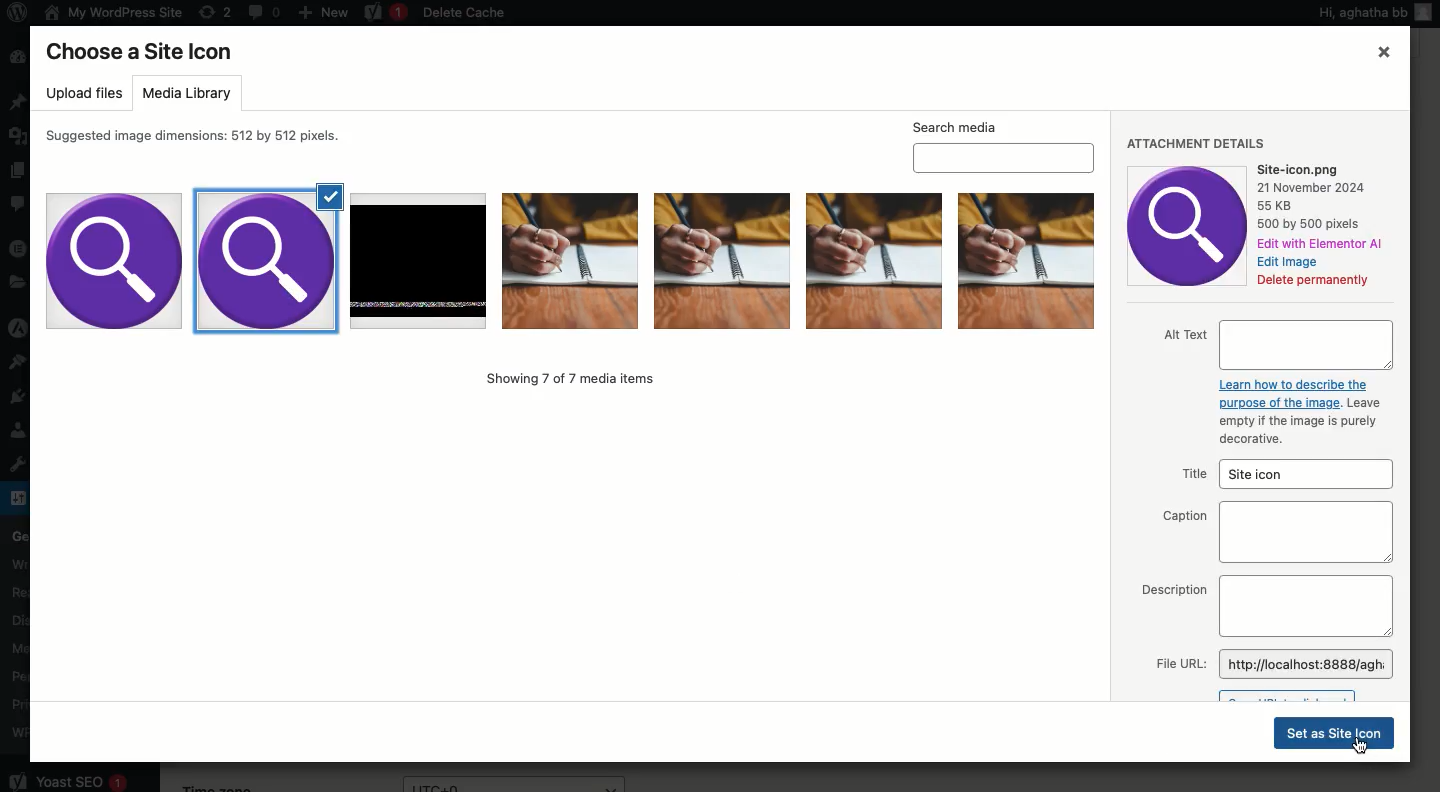 The width and height of the screenshot is (1440, 792). I want to click on http:/flocalhost:8888/agh: |, so click(1308, 665).